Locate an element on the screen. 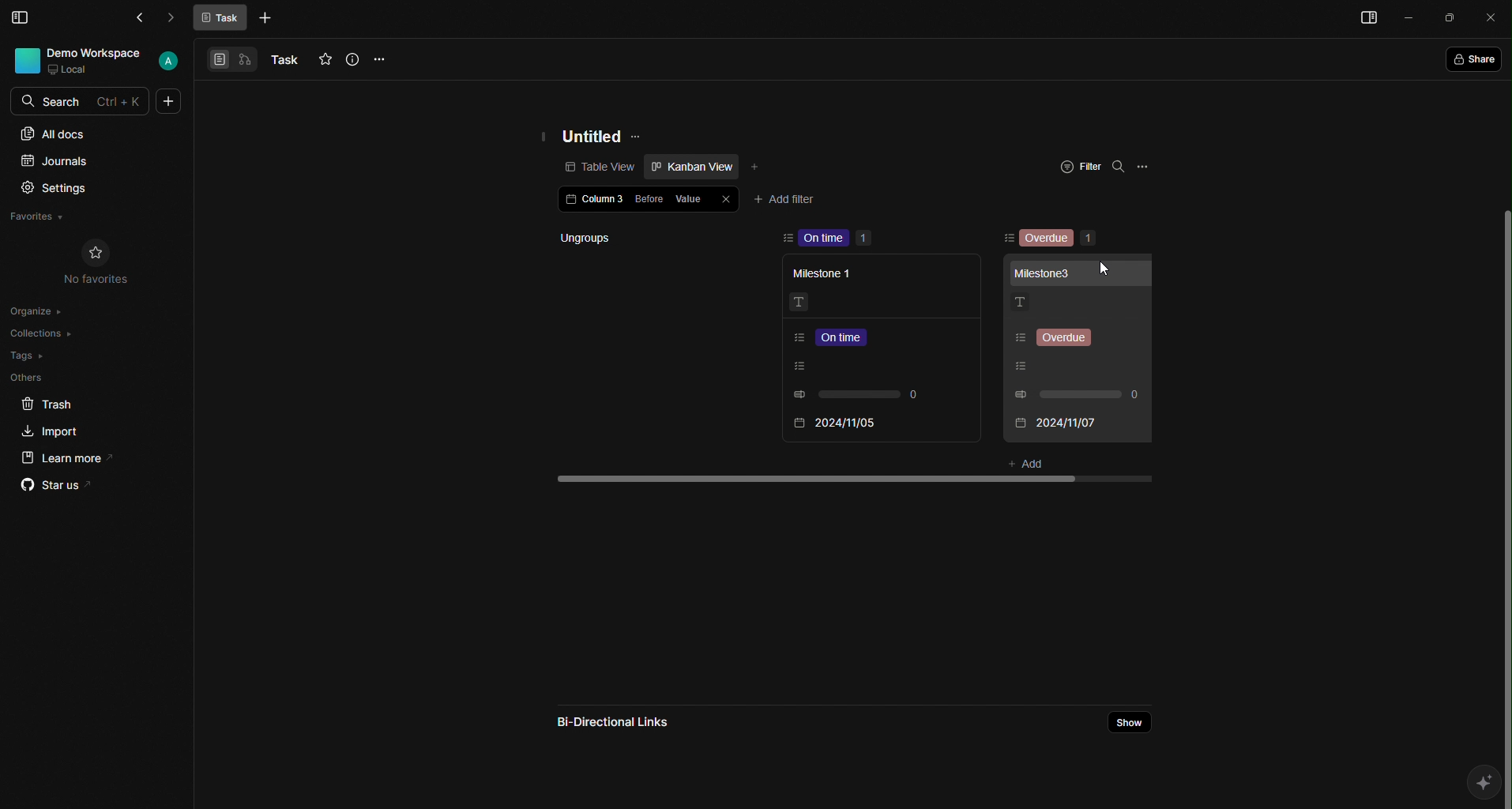  Options is located at coordinates (1143, 167).